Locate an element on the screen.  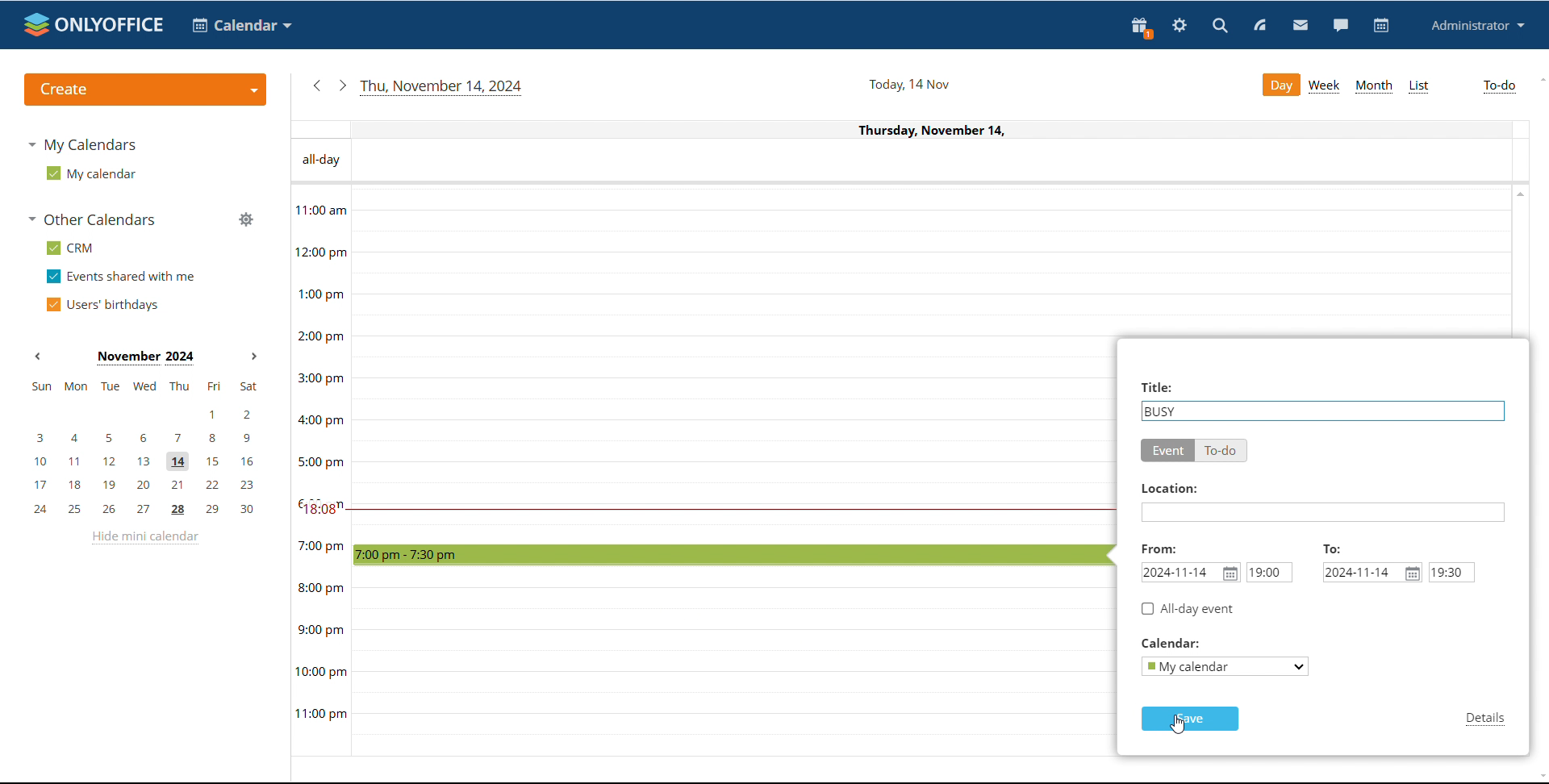
all day event checkbox is located at coordinates (1188, 608).